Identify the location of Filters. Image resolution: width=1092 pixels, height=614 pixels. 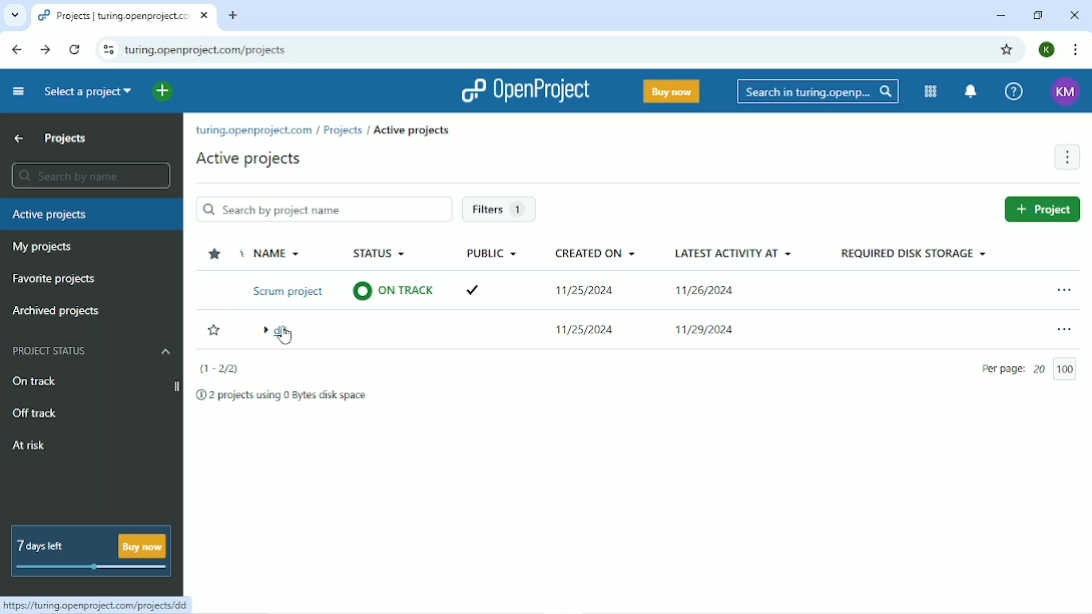
(500, 210).